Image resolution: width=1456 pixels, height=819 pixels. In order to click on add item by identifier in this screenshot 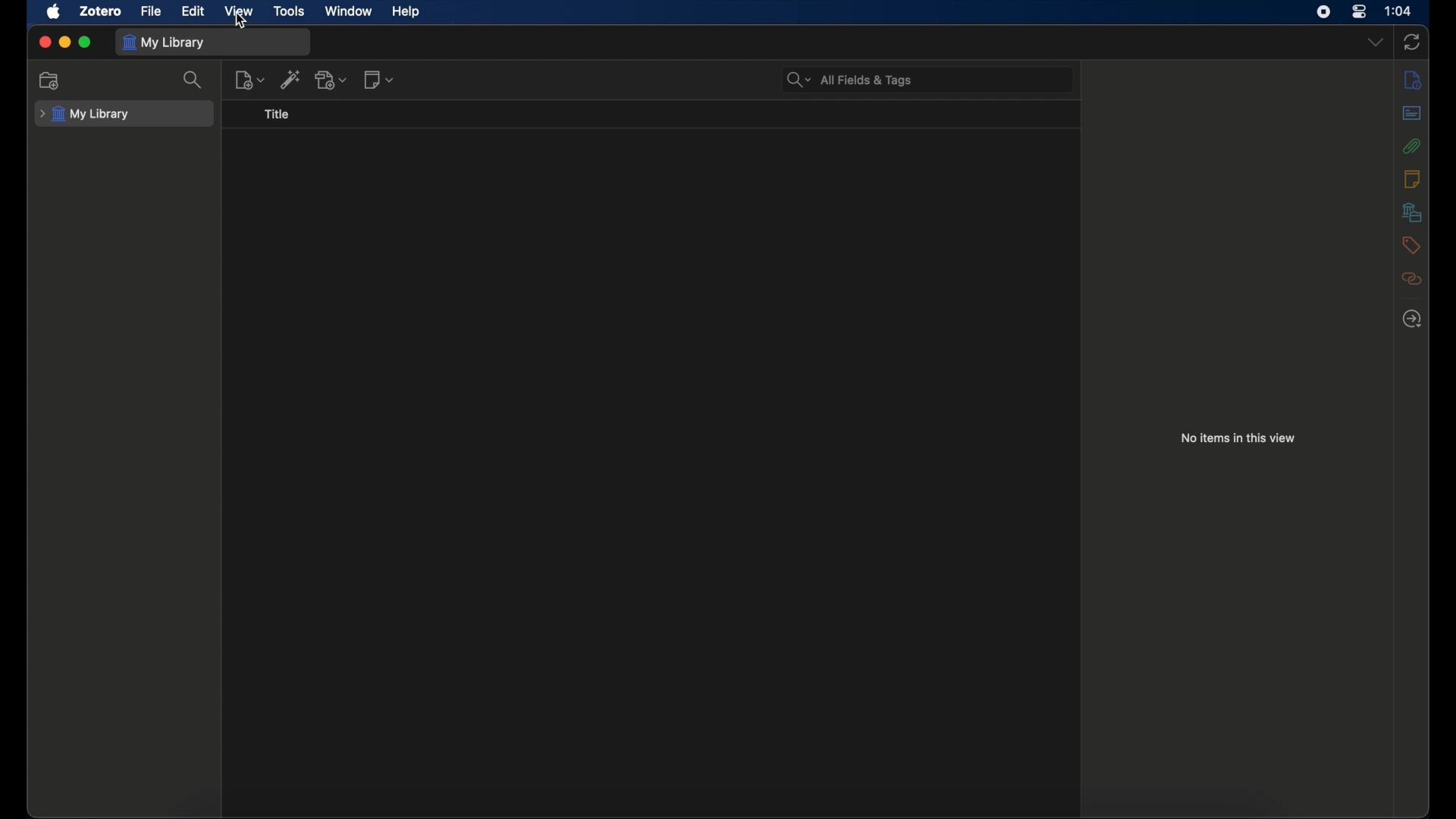, I will do `click(291, 79)`.